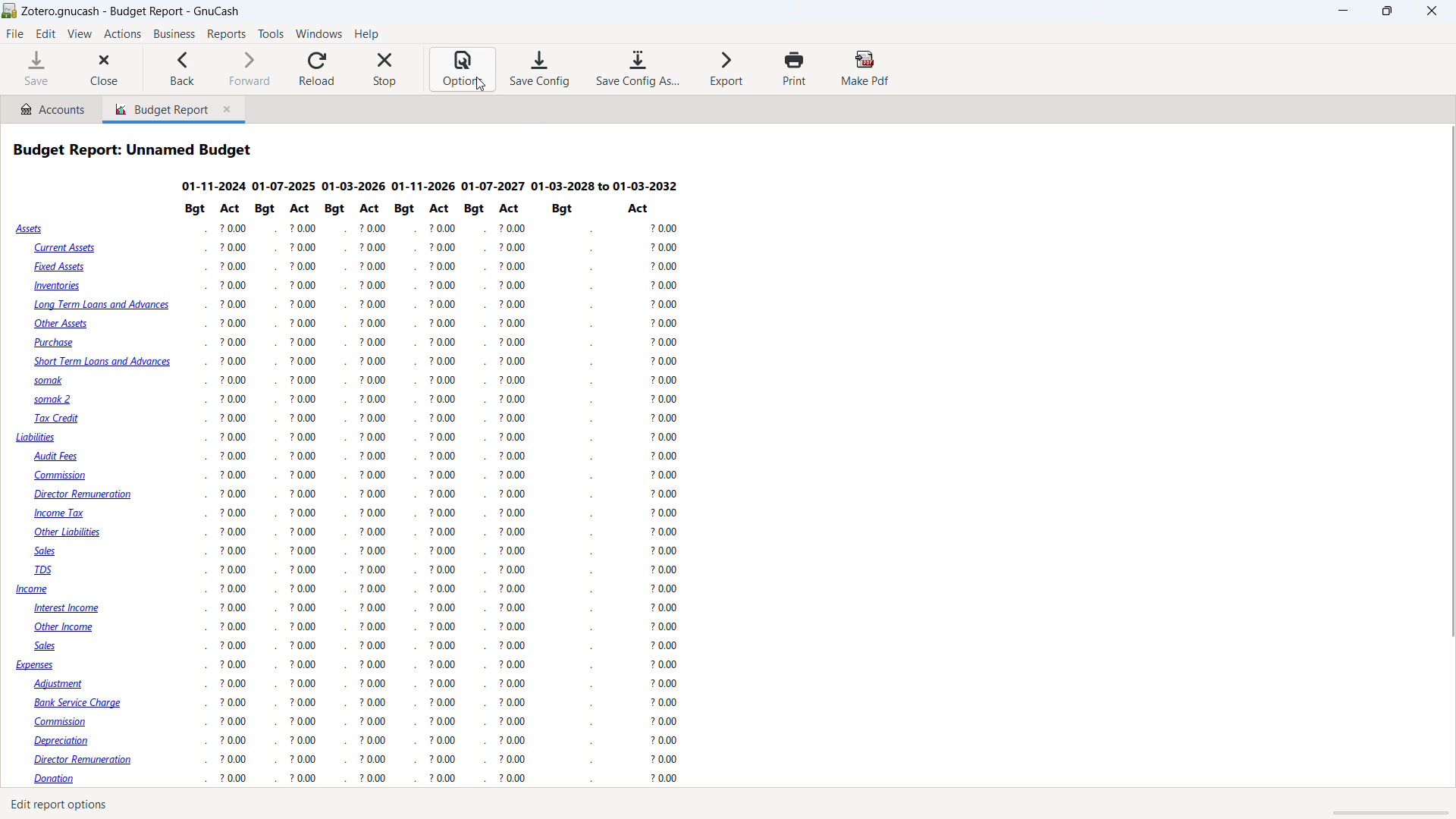 Image resolution: width=1456 pixels, height=819 pixels. I want to click on Other Liabilities, so click(71, 532).